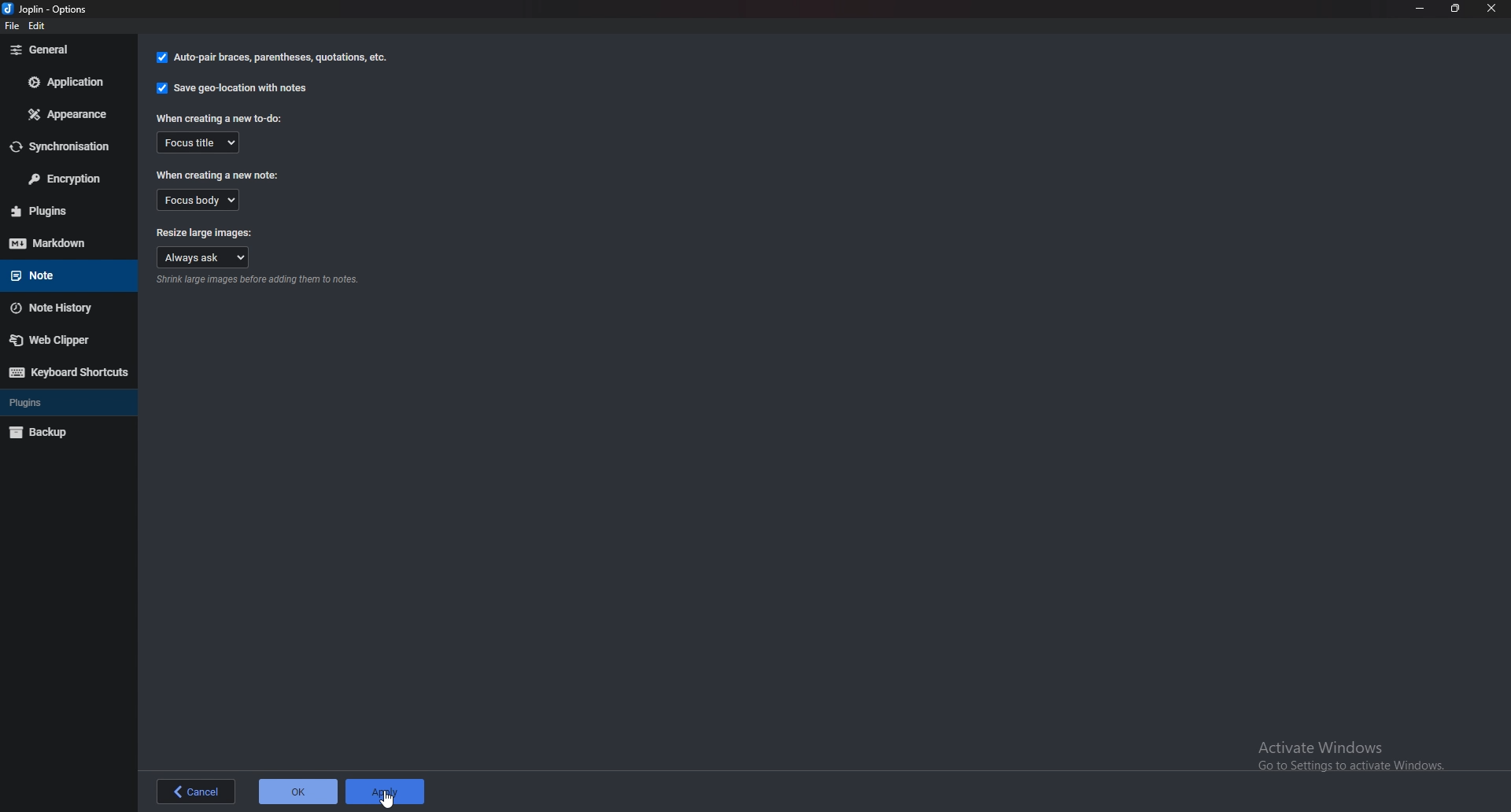 The image size is (1511, 812). I want to click on Keyboard shortcuts, so click(68, 372).